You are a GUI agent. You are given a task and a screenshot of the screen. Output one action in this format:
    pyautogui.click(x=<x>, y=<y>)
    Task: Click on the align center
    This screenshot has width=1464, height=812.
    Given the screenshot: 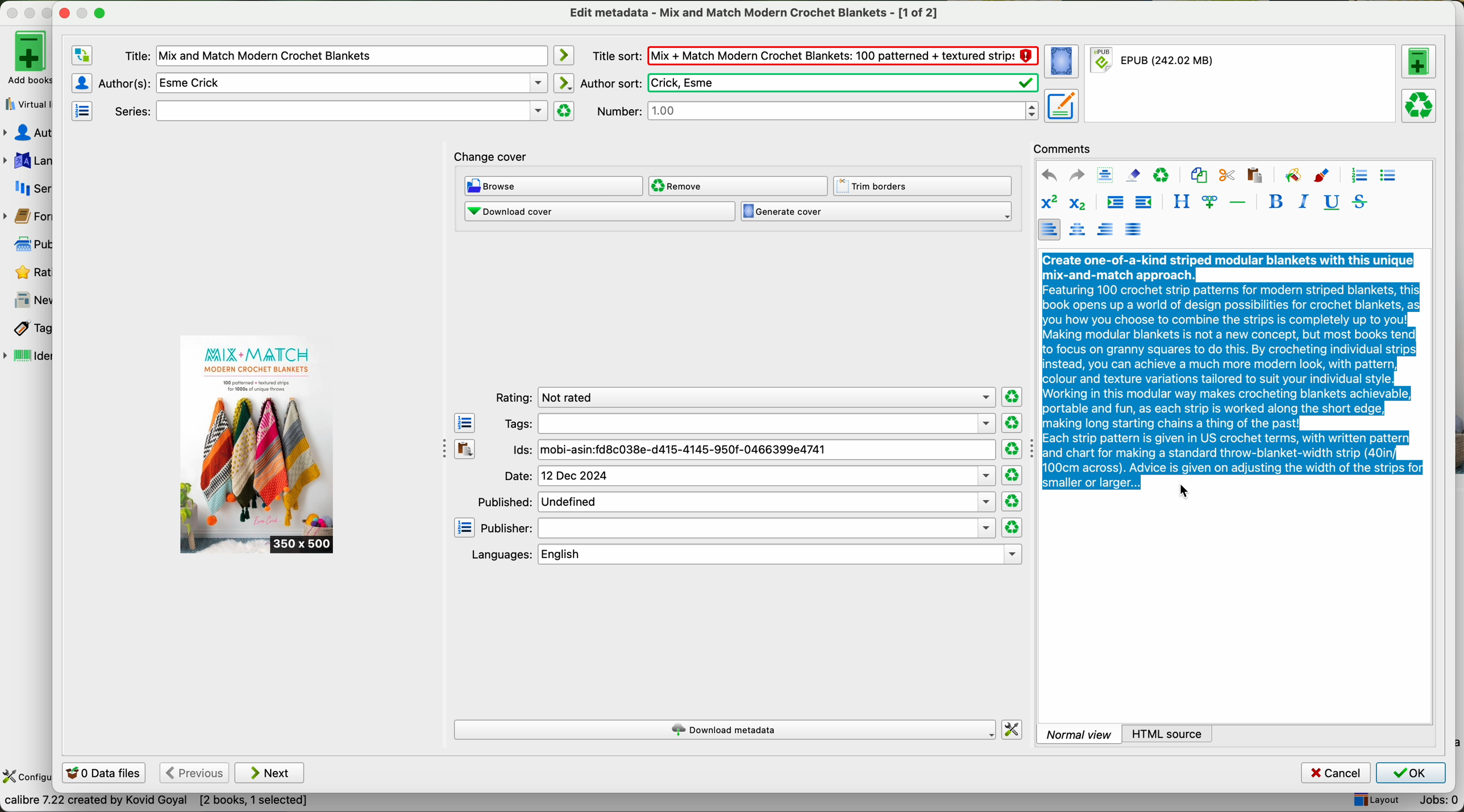 What is the action you would take?
    pyautogui.click(x=1079, y=230)
    